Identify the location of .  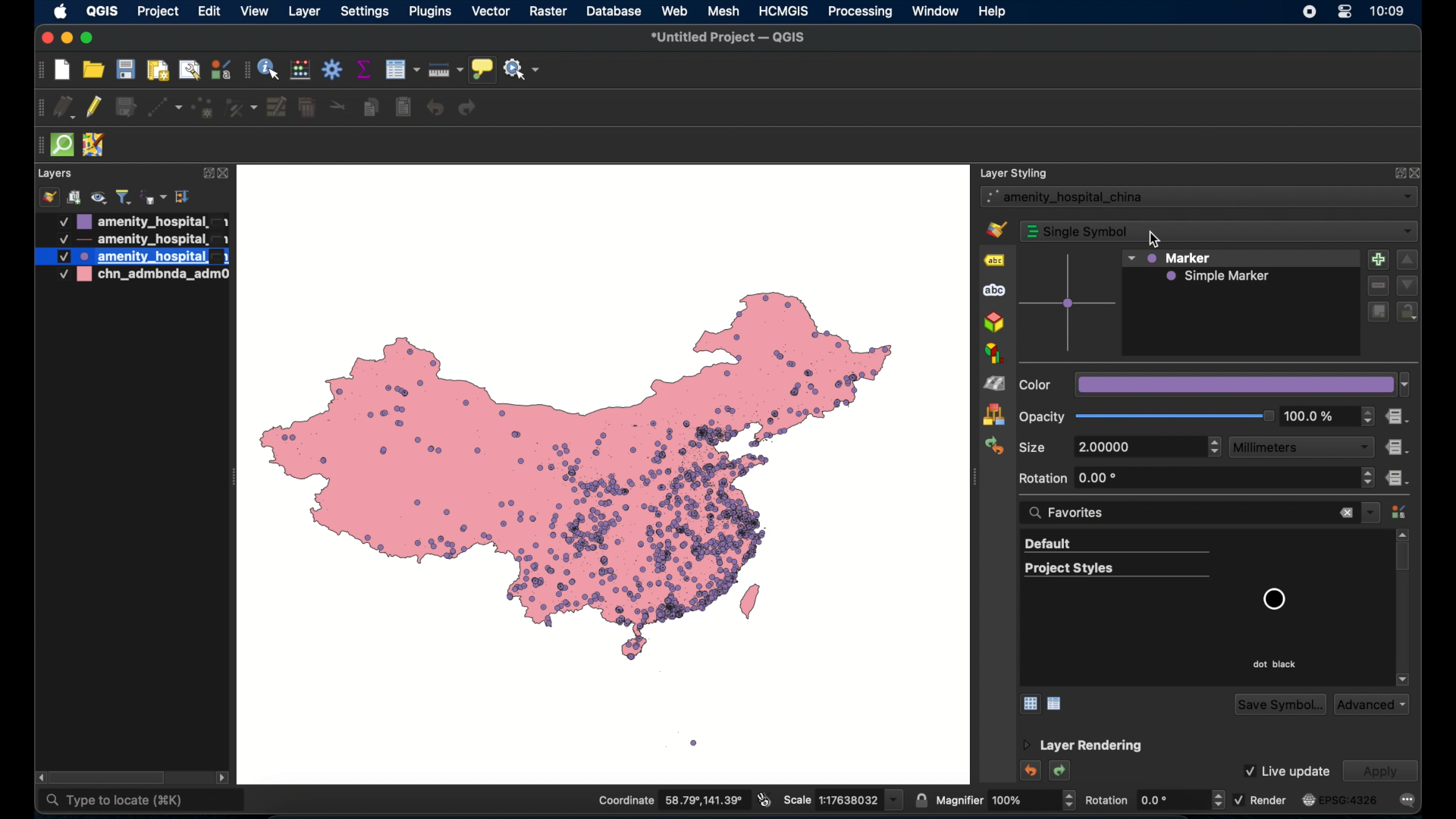
(108, 777).